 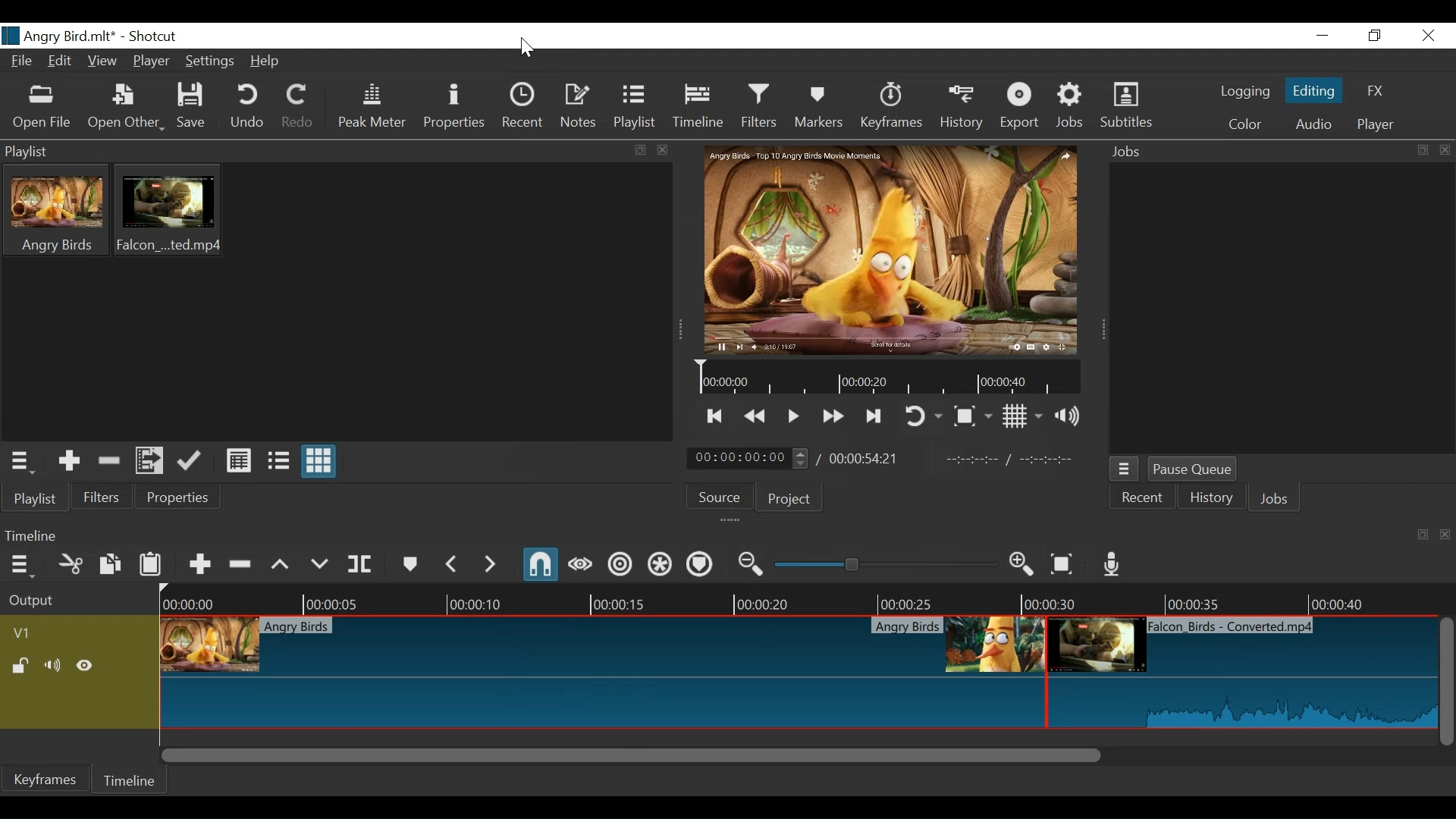 I want to click on cursor, so click(x=526, y=49).